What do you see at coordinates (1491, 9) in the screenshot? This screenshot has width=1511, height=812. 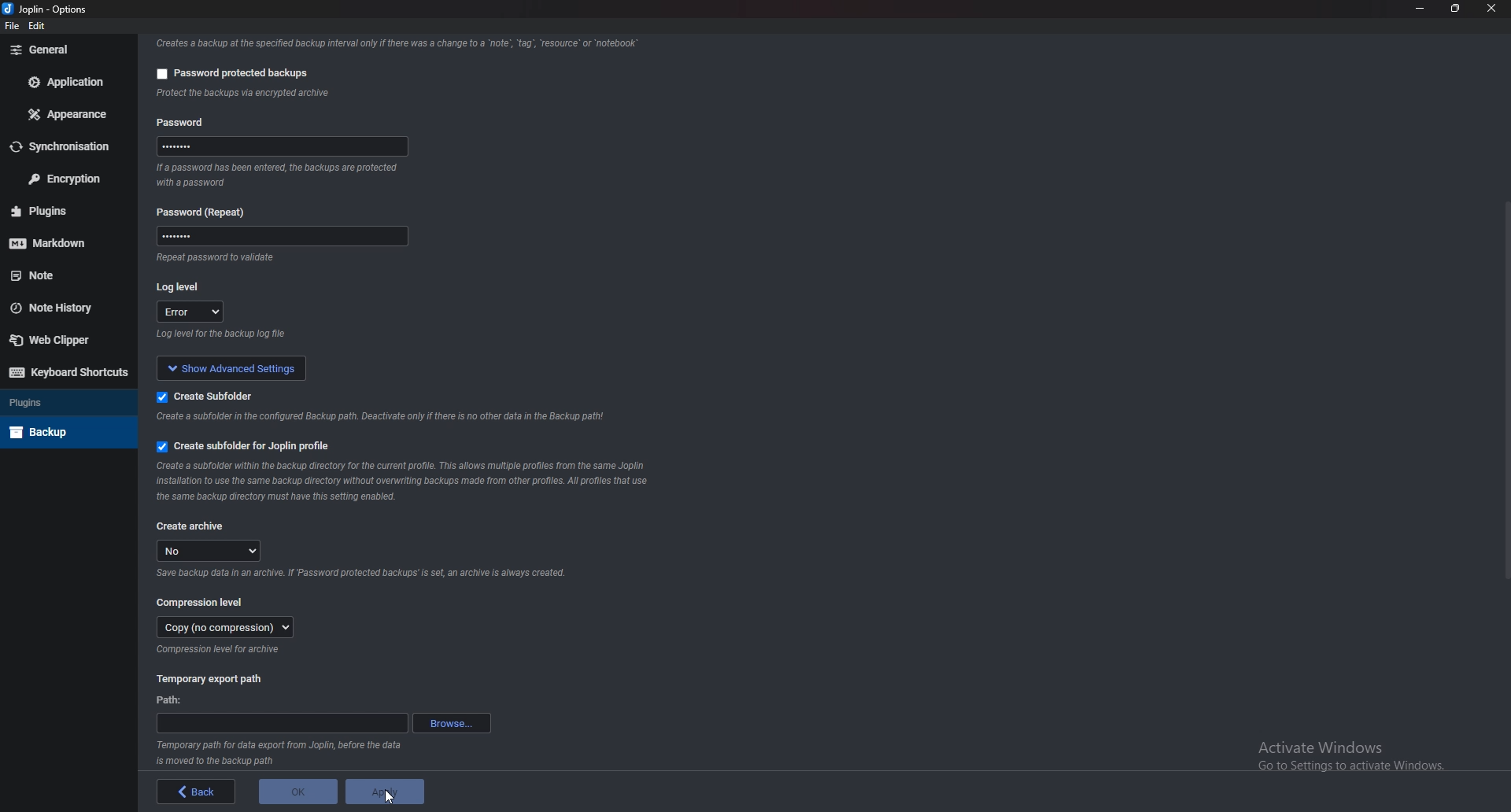 I see `close` at bounding box center [1491, 9].